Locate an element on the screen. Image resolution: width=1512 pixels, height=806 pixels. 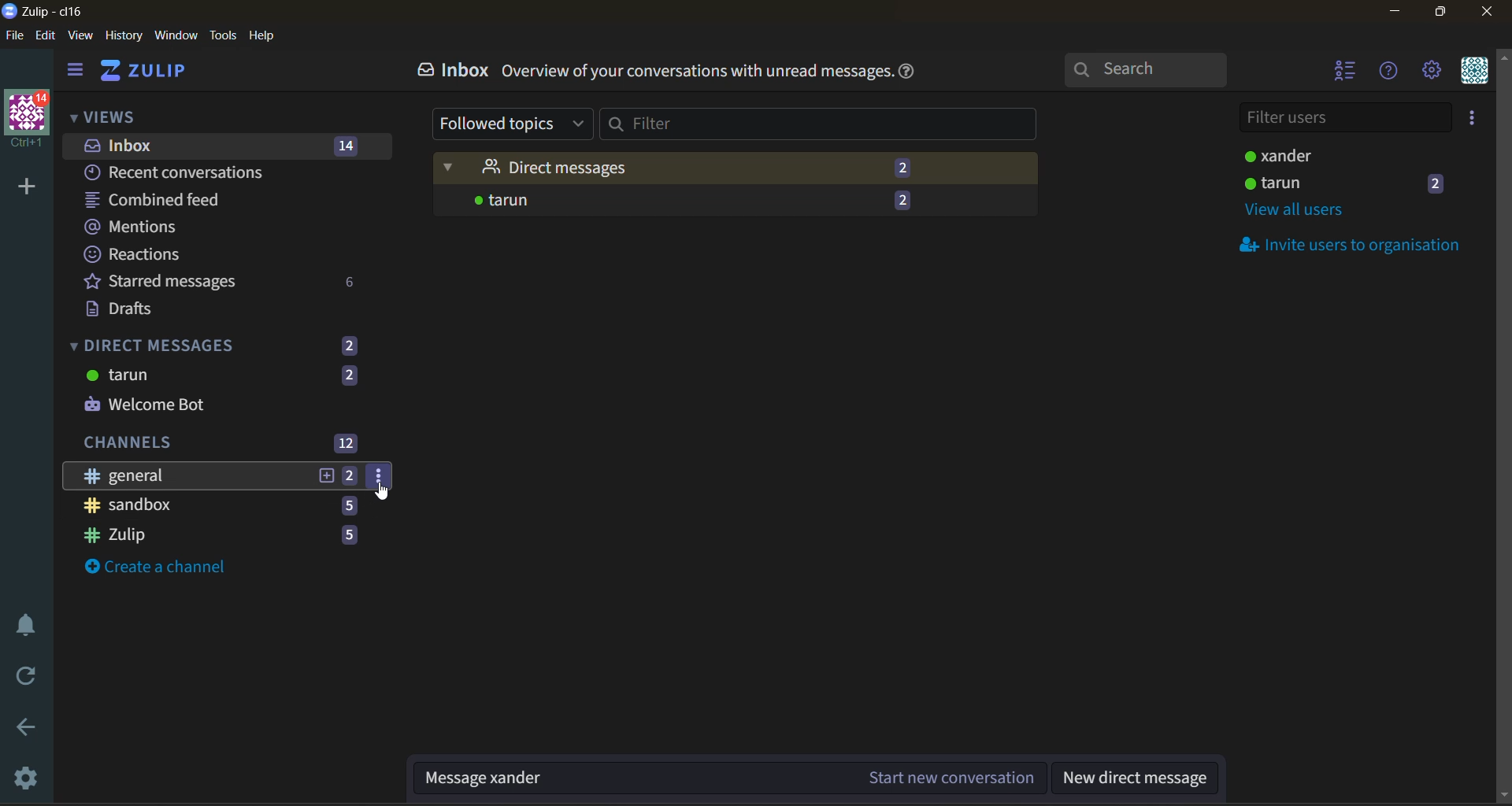
combined feed is located at coordinates (165, 200).